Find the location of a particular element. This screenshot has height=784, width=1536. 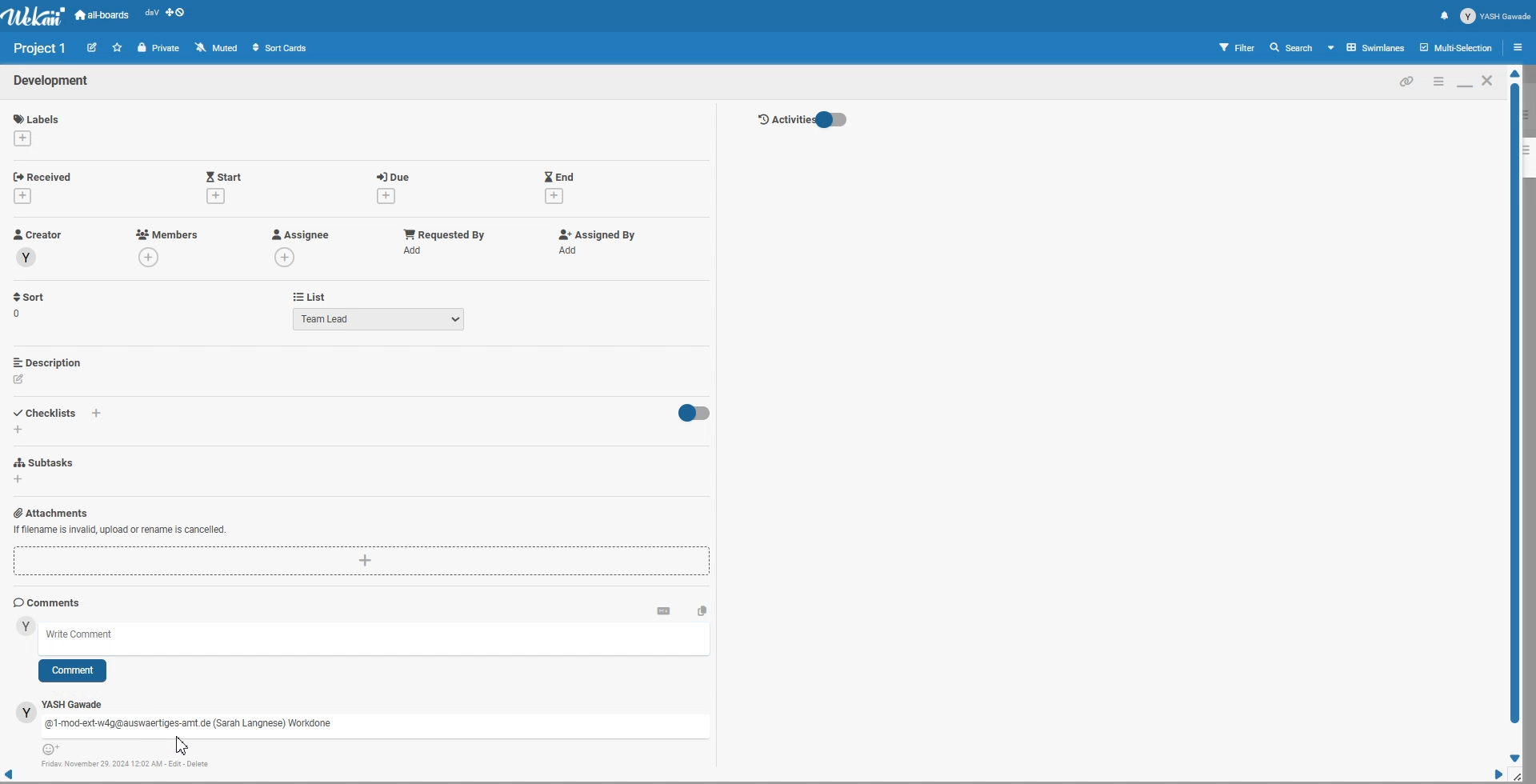

React Emoji is located at coordinates (54, 750).